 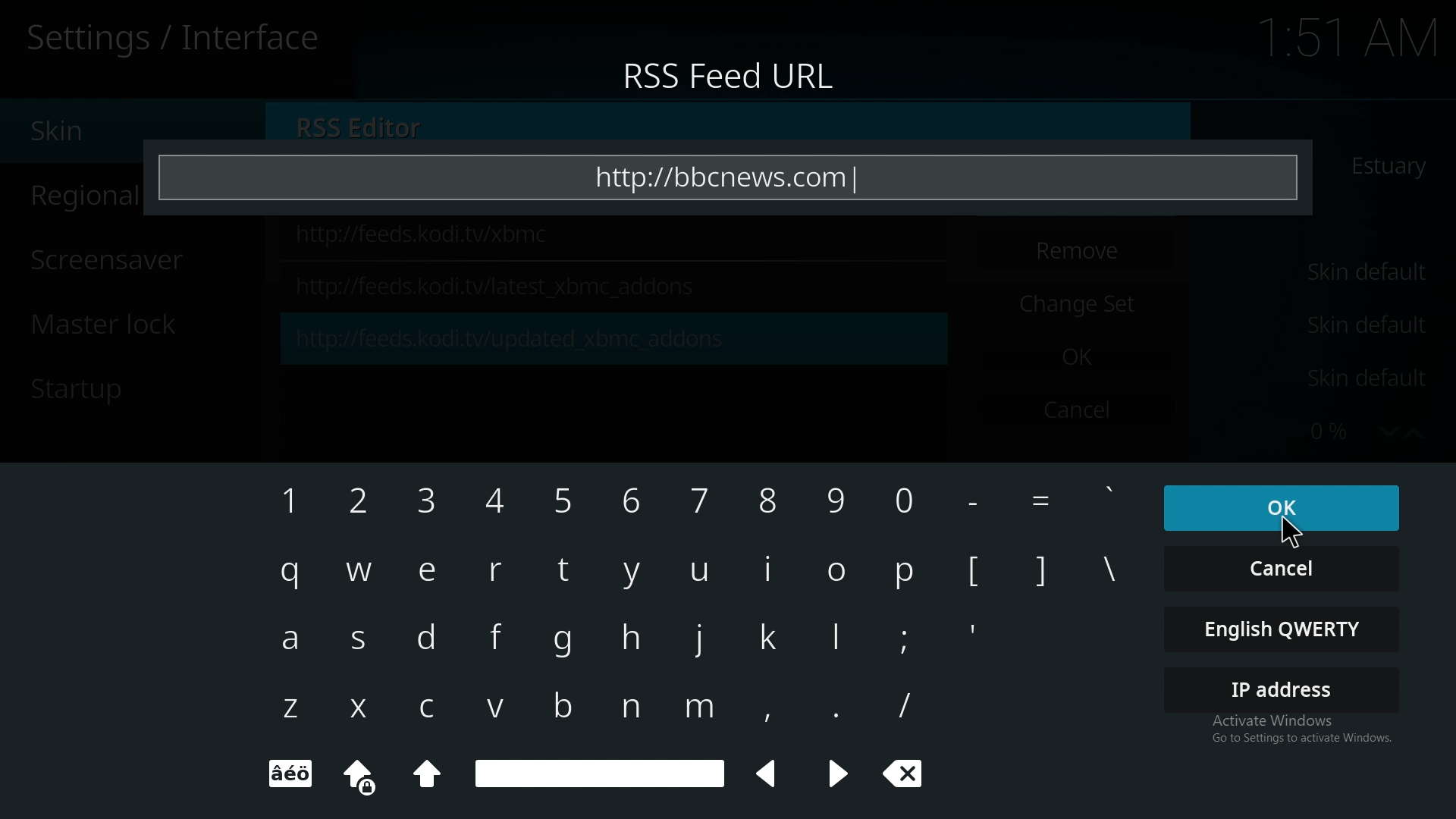 What do you see at coordinates (632, 573) in the screenshot?
I see `keyboard Input` at bounding box center [632, 573].